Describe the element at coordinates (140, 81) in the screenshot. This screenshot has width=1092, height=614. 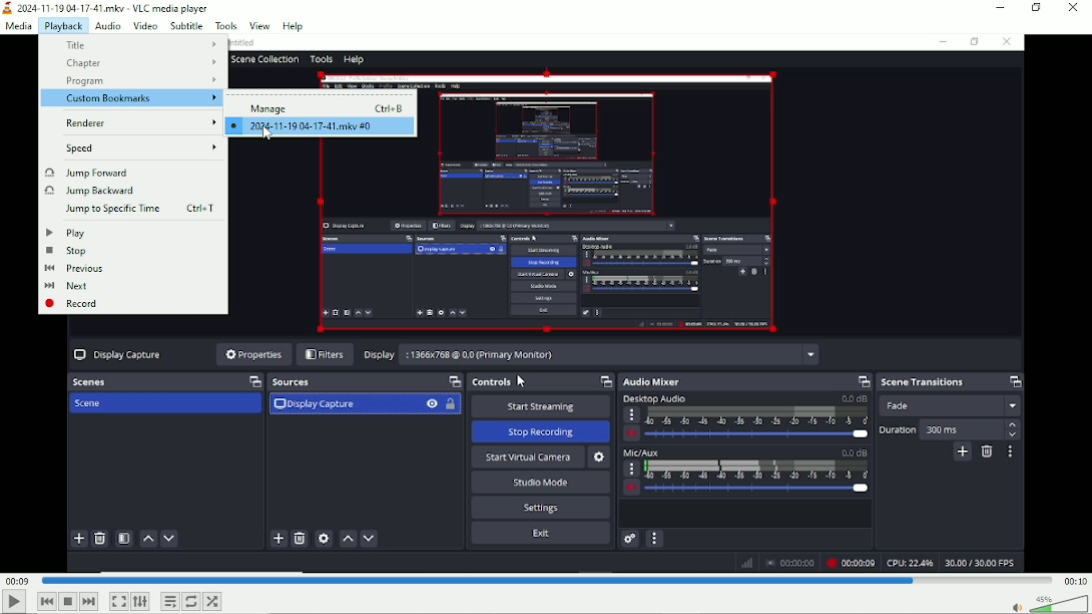
I see `Program` at that location.